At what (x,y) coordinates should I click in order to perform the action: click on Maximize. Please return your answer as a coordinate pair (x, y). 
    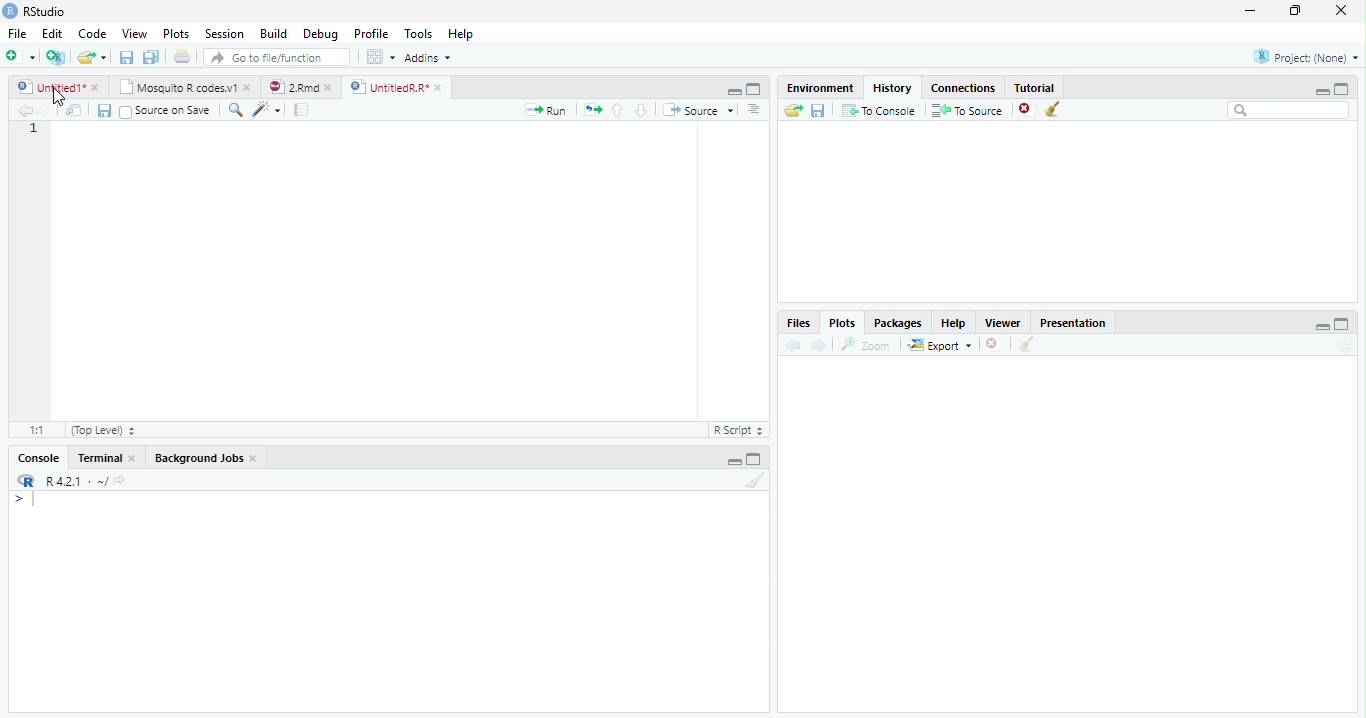
    Looking at the image, I should click on (754, 90).